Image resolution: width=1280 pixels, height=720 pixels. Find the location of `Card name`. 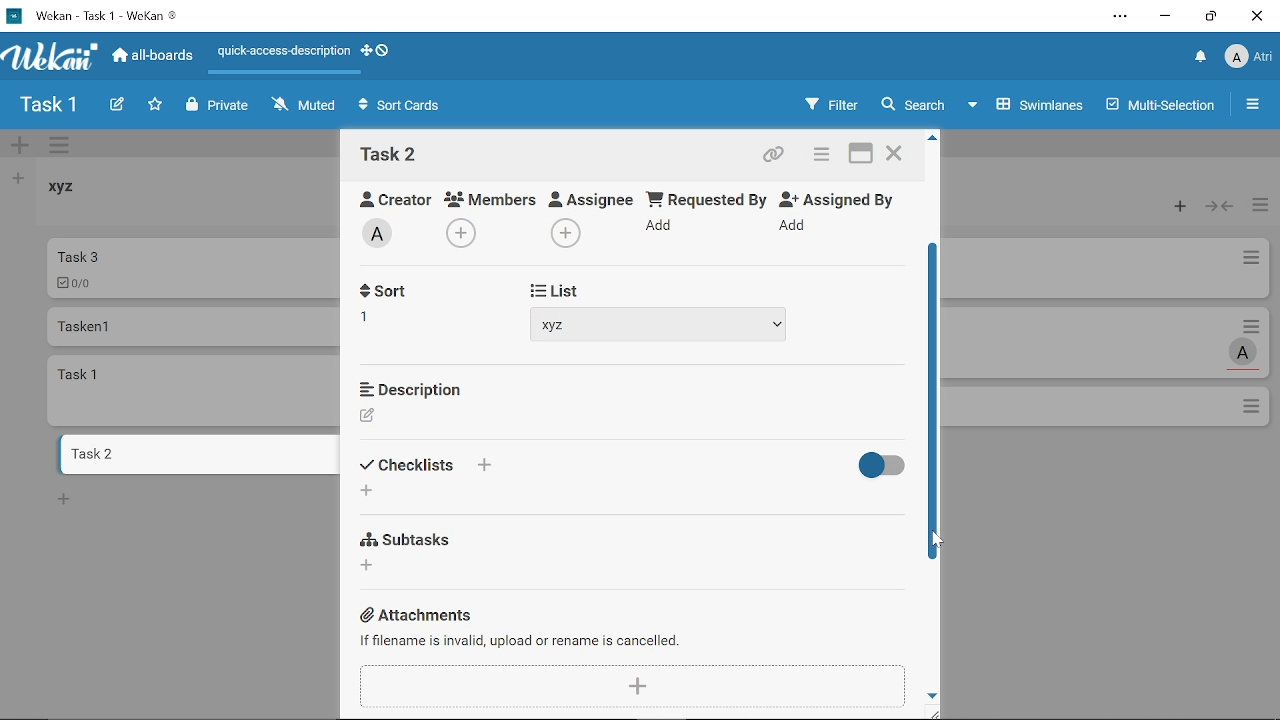

Card name is located at coordinates (389, 154).